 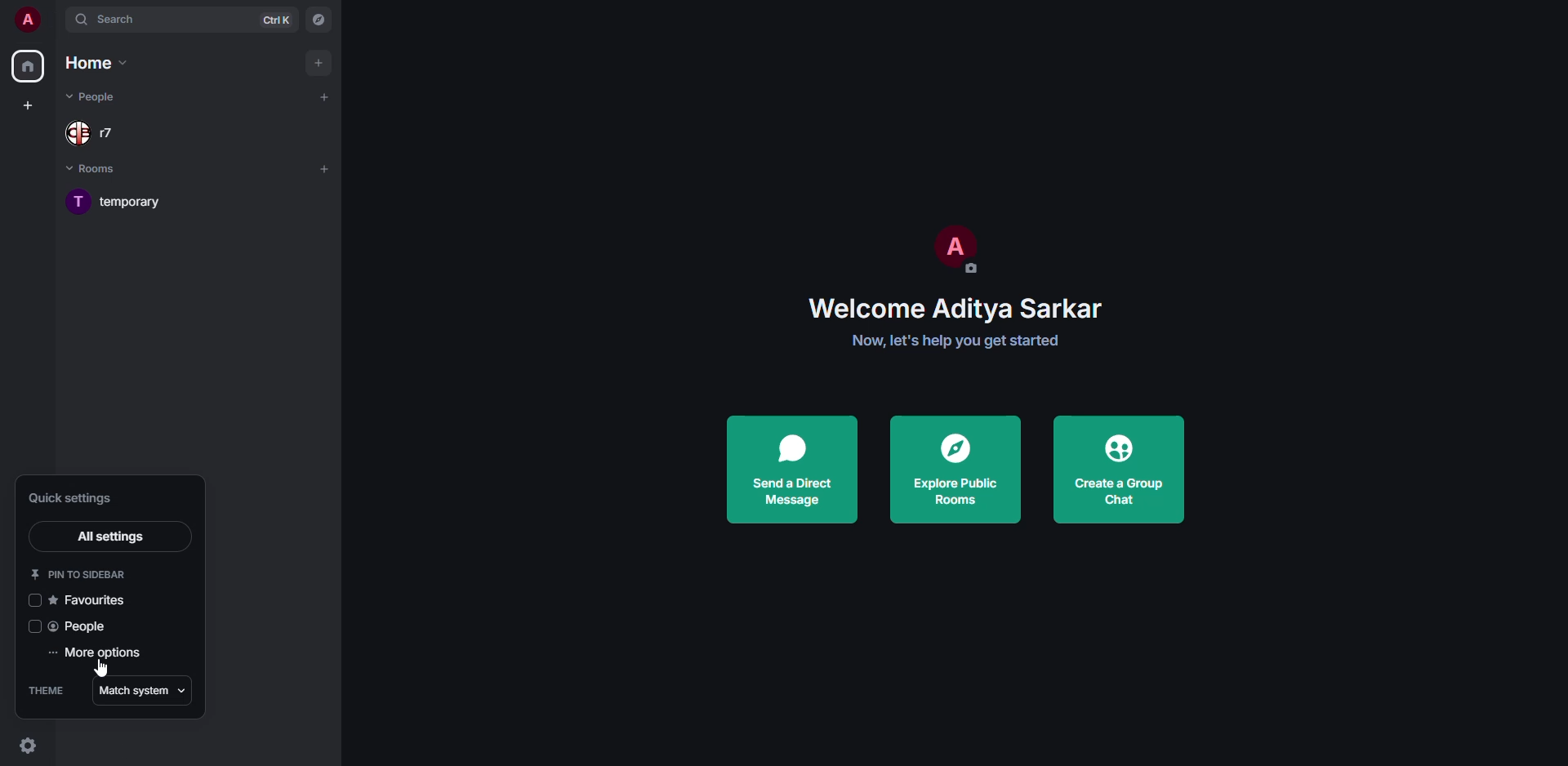 What do you see at coordinates (954, 248) in the screenshot?
I see `profile pic` at bounding box center [954, 248].